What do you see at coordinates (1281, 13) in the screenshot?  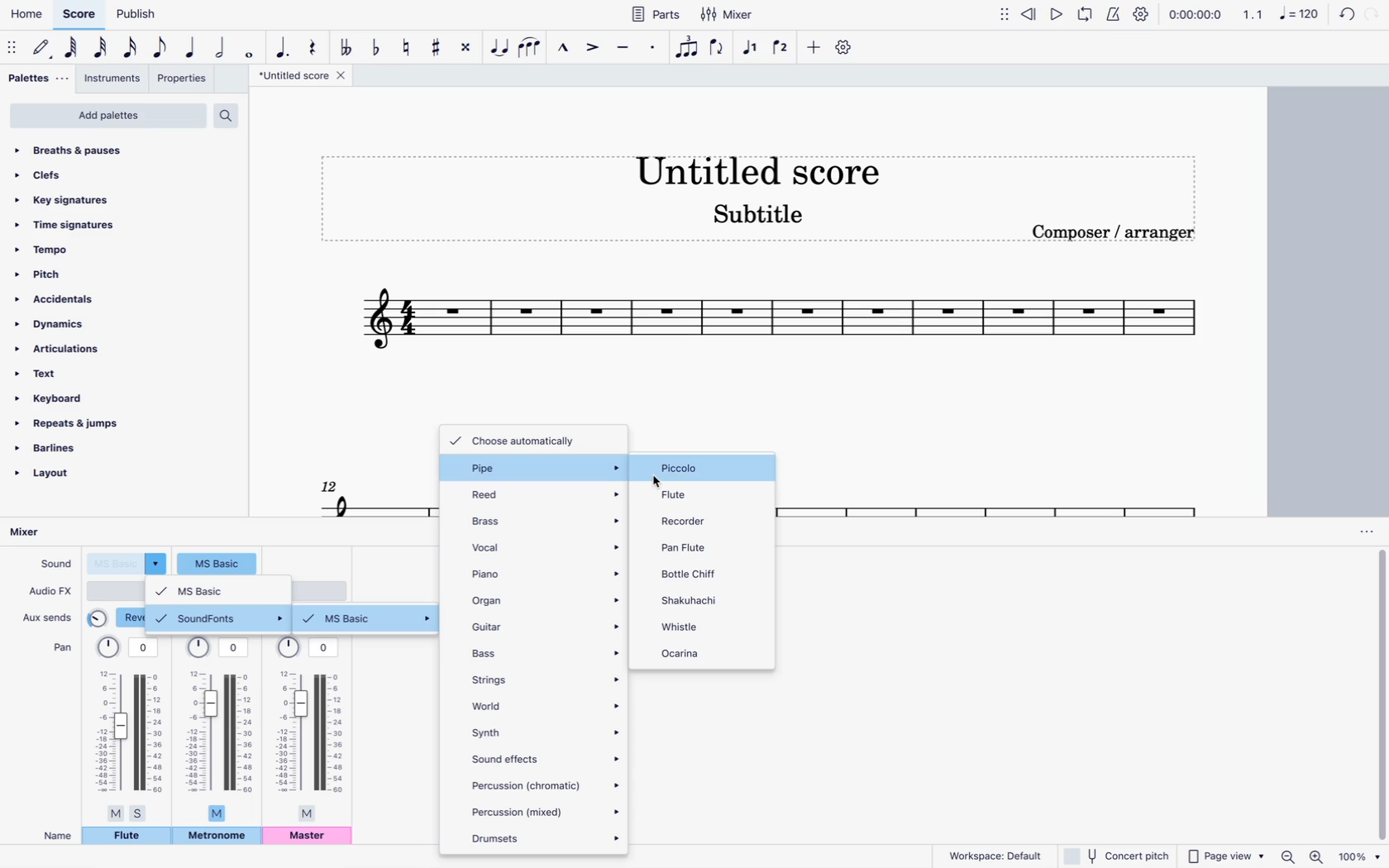 I see `scale` at bounding box center [1281, 13].